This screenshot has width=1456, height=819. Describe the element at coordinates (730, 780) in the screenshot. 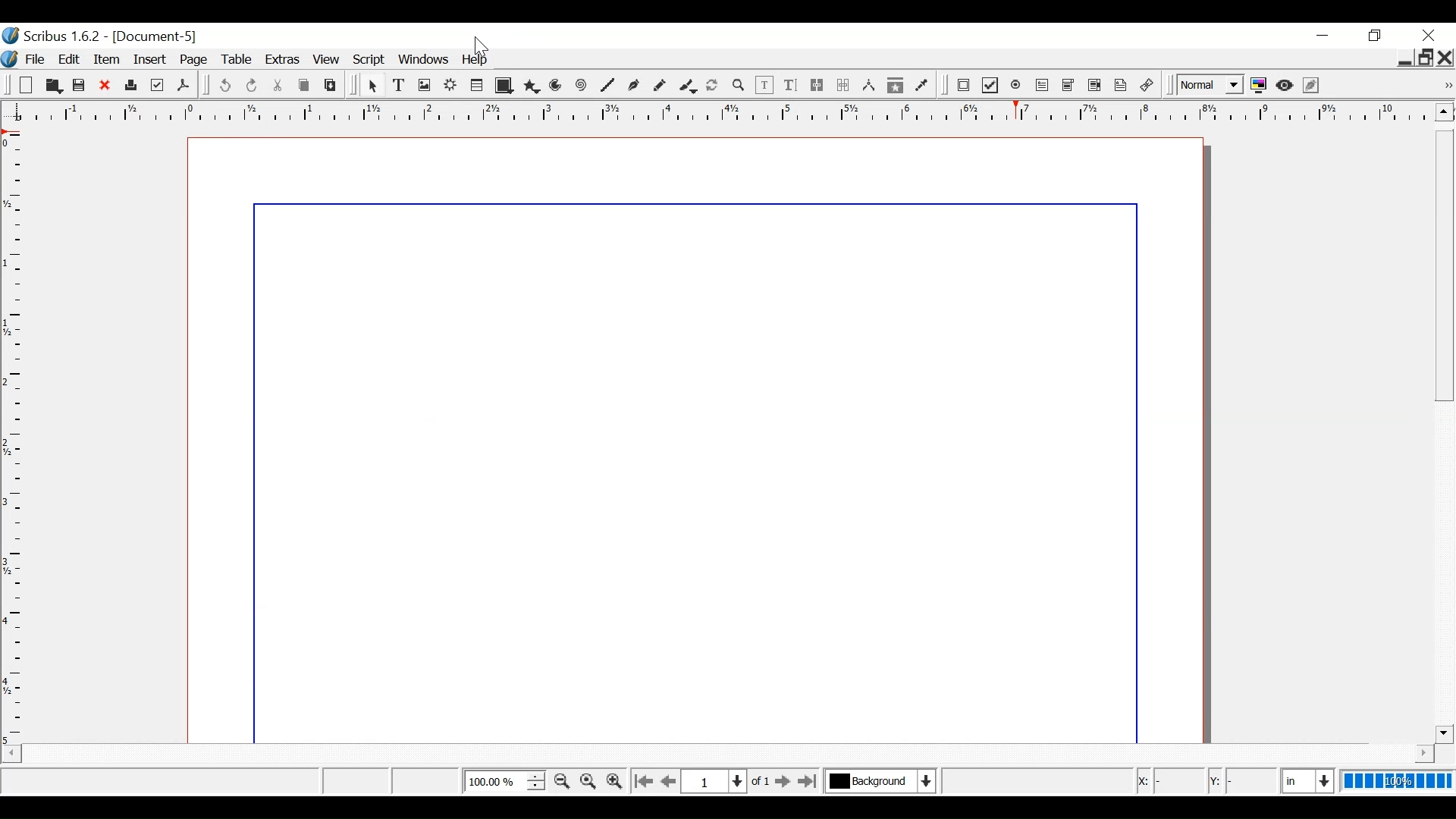

I see `Current position` at that location.